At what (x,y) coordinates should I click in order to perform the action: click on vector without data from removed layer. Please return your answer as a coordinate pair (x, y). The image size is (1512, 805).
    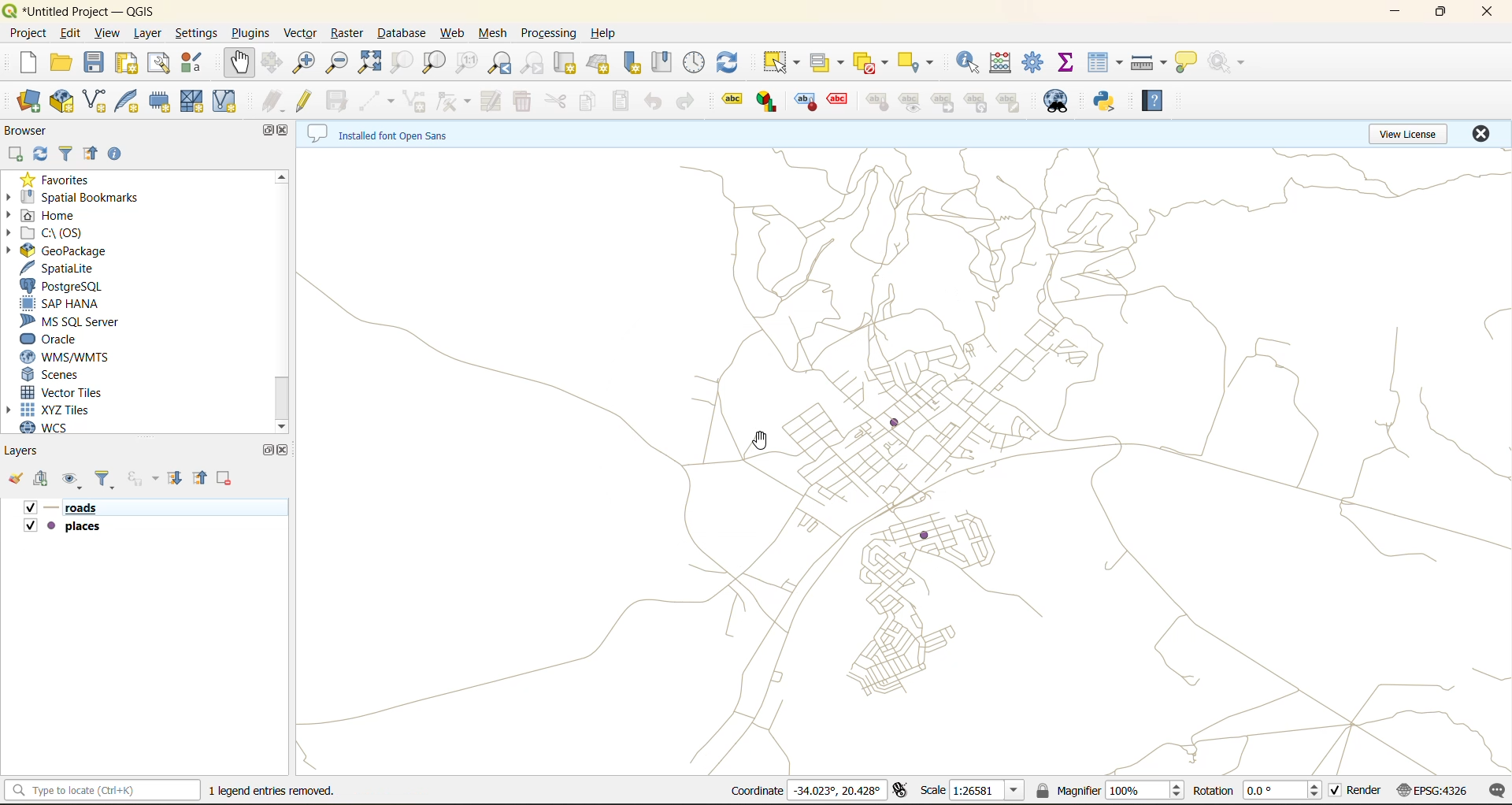
    Looking at the image, I should click on (906, 462).